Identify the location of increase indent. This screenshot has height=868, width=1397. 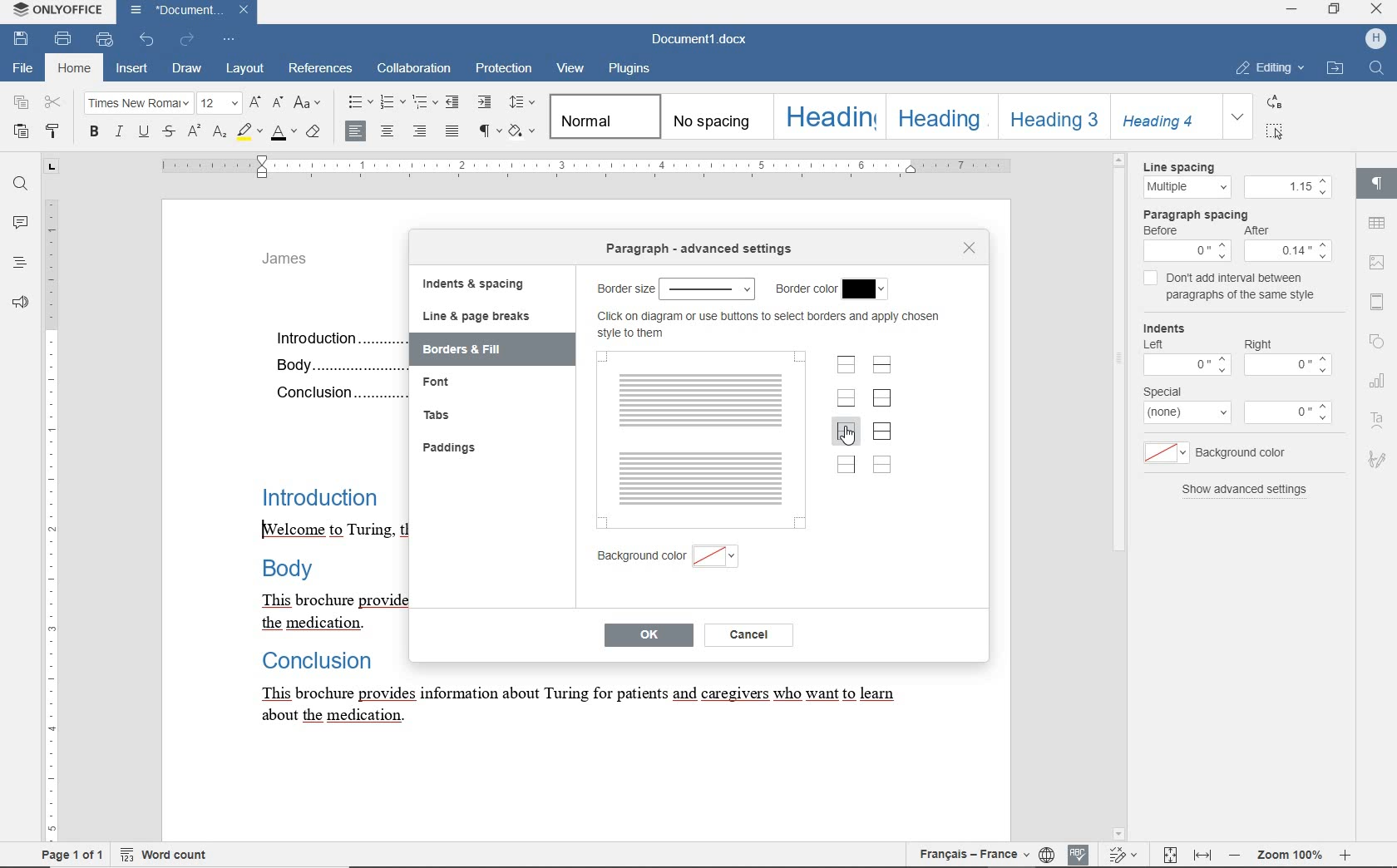
(485, 103).